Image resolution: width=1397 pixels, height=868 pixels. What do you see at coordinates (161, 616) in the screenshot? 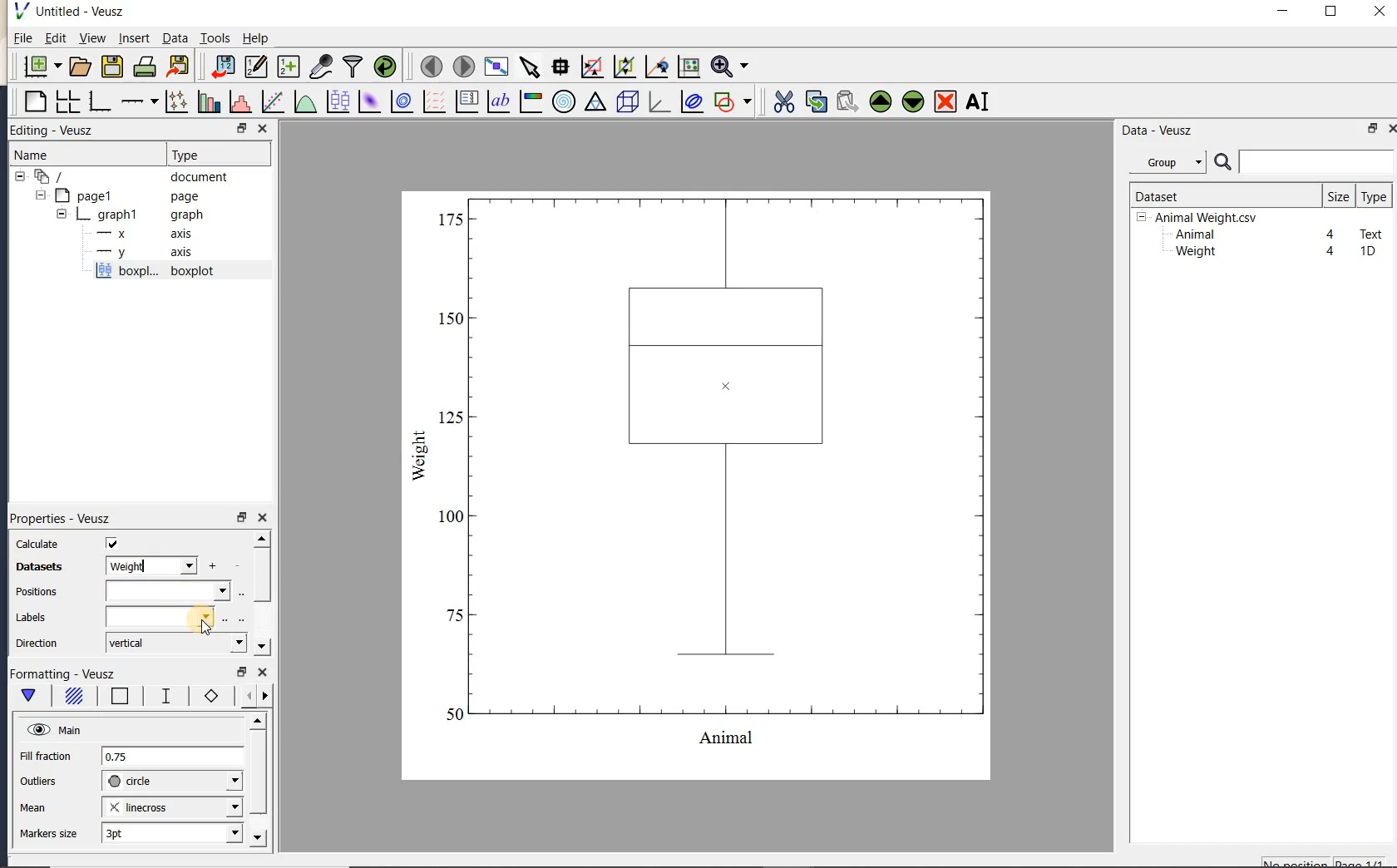
I see `input field` at bounding box center [161, 616].